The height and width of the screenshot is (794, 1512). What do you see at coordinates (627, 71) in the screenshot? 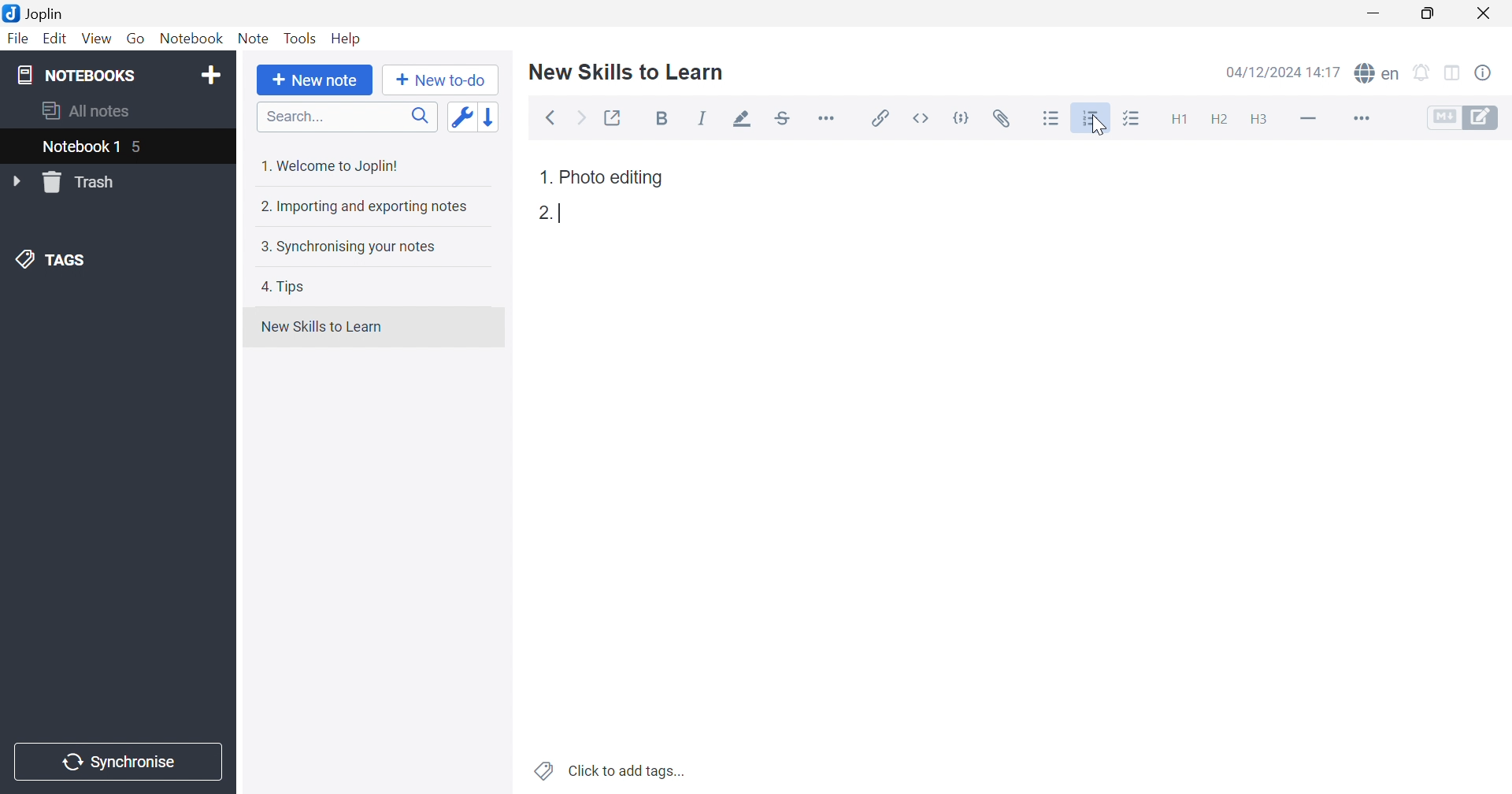
I see `New Skills to Learn` at bounding box center [627, 71].